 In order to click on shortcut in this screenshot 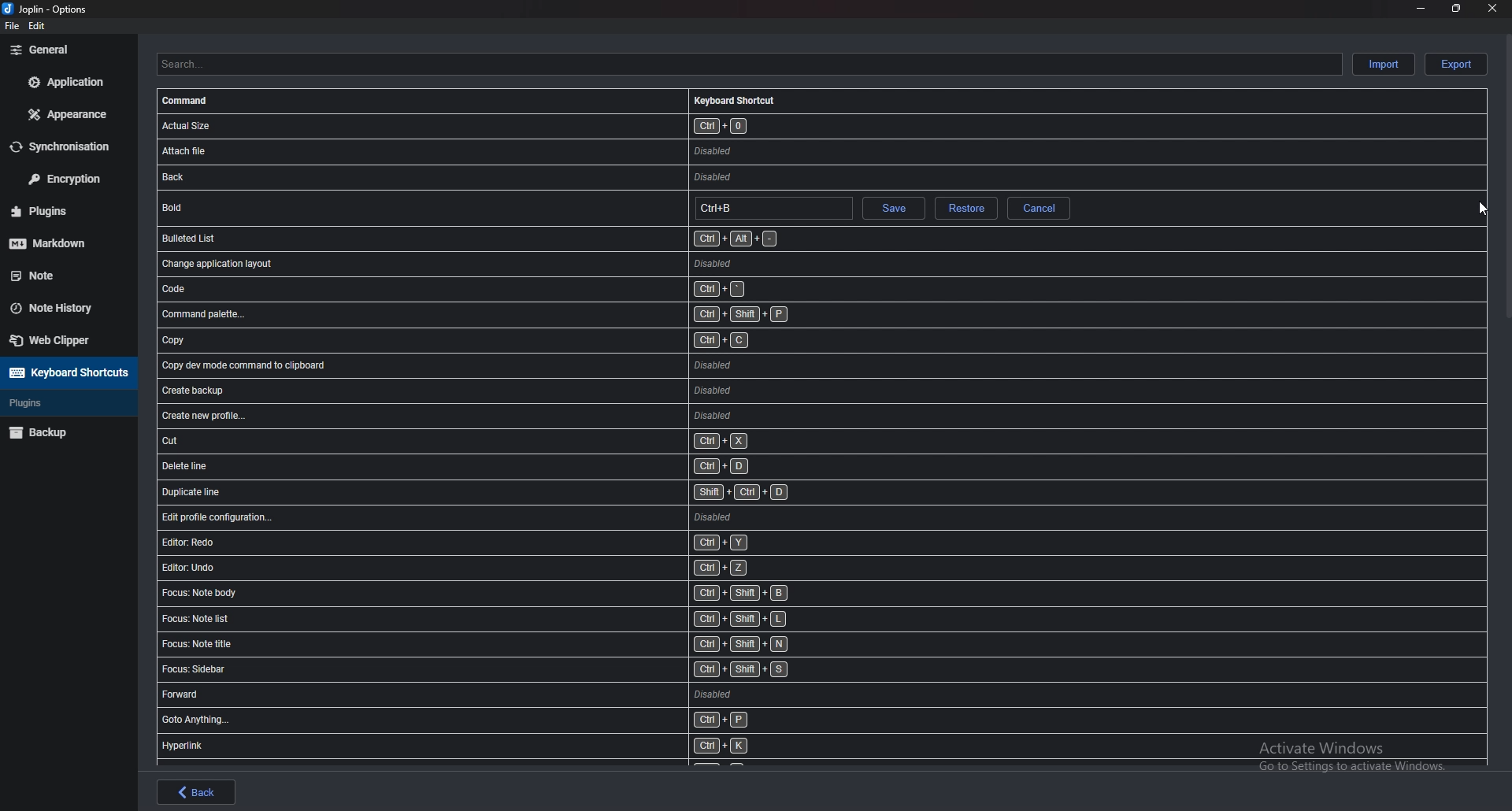, I will do `click(422, 206)`.